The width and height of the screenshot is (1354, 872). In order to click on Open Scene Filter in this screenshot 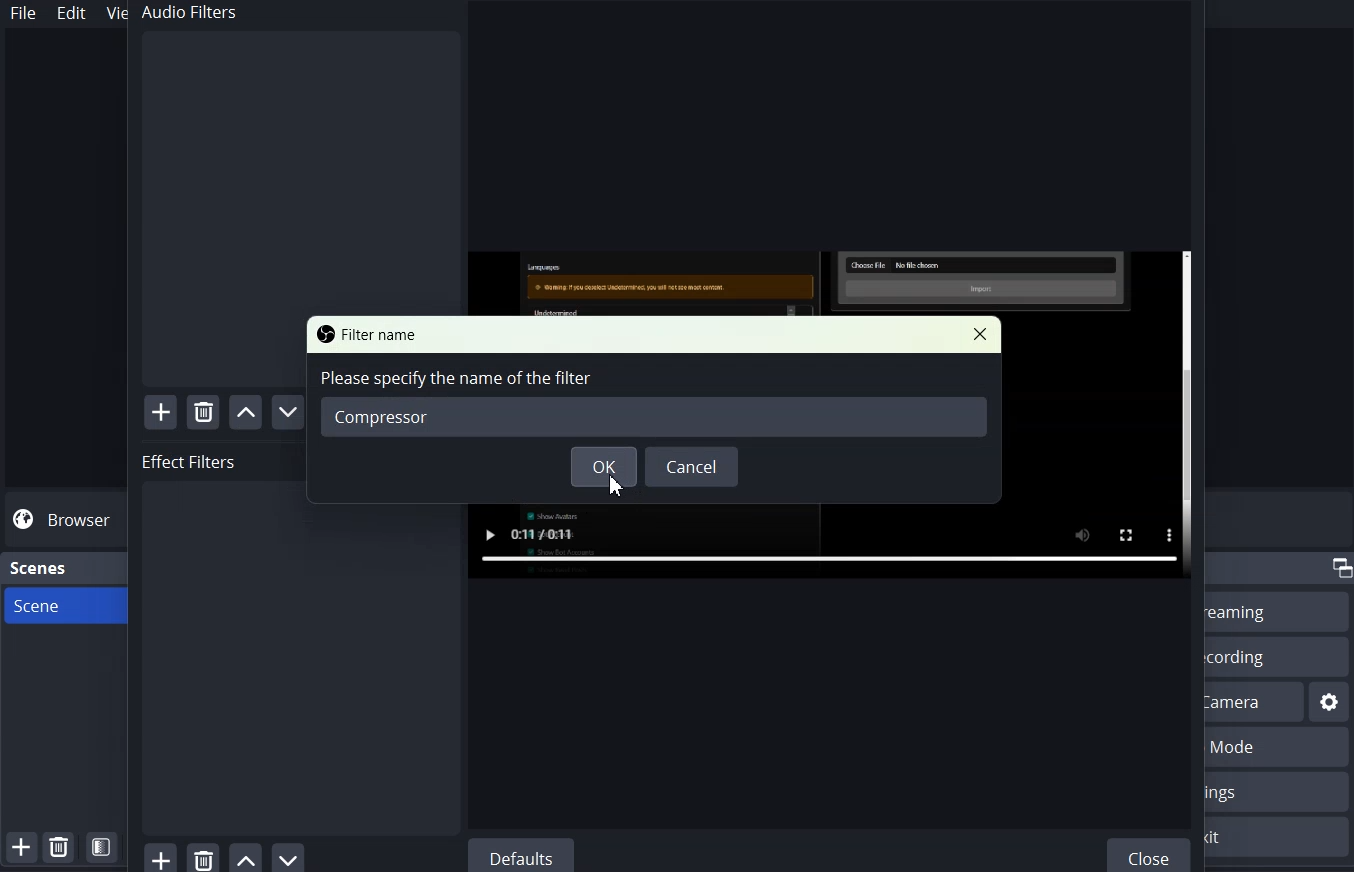, I will do `click(101, 847)`.